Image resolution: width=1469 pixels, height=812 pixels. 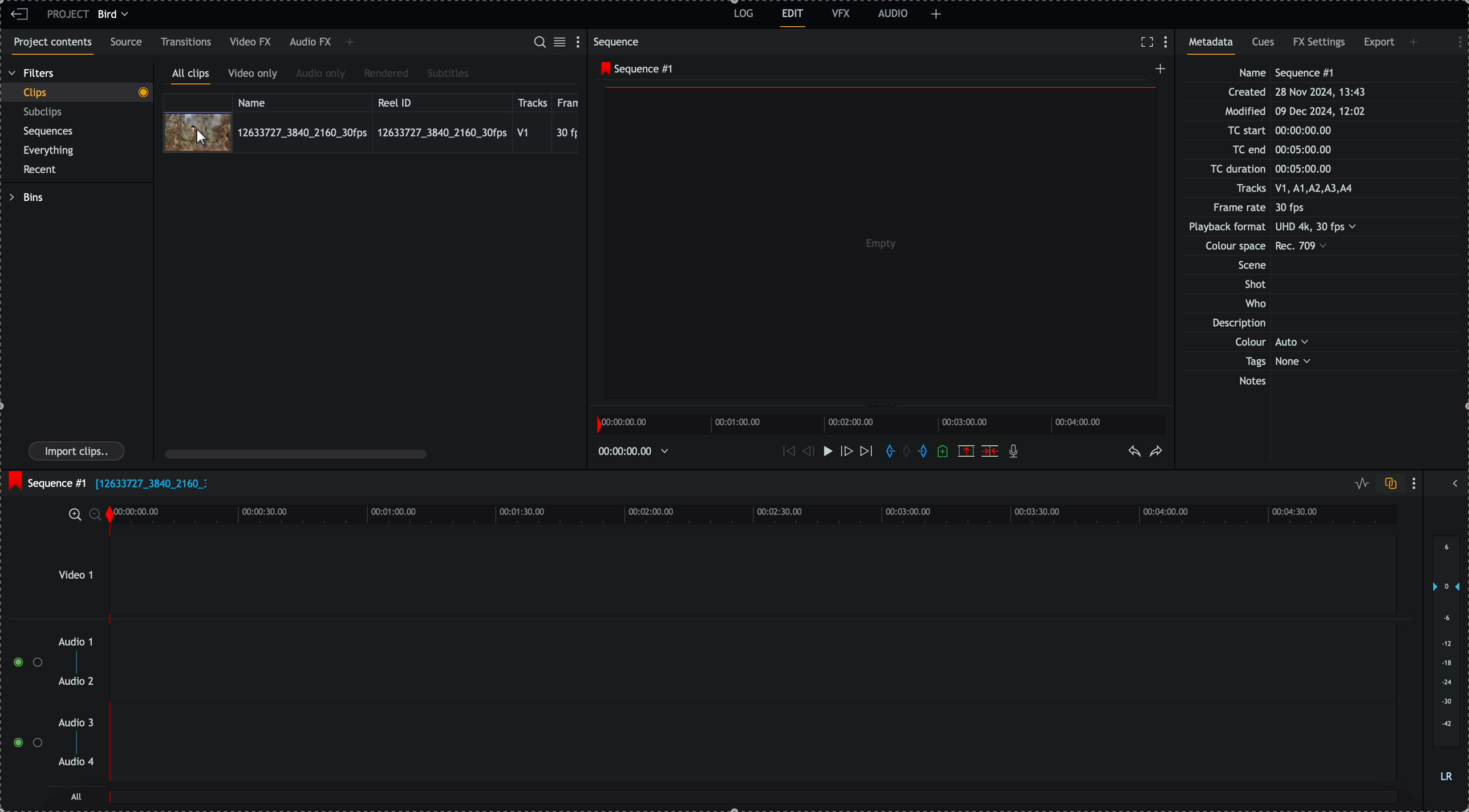 What do you see at coordinates (78, 452) in the screenshot?
I see `import clips button` at bounding box center [78, 452].